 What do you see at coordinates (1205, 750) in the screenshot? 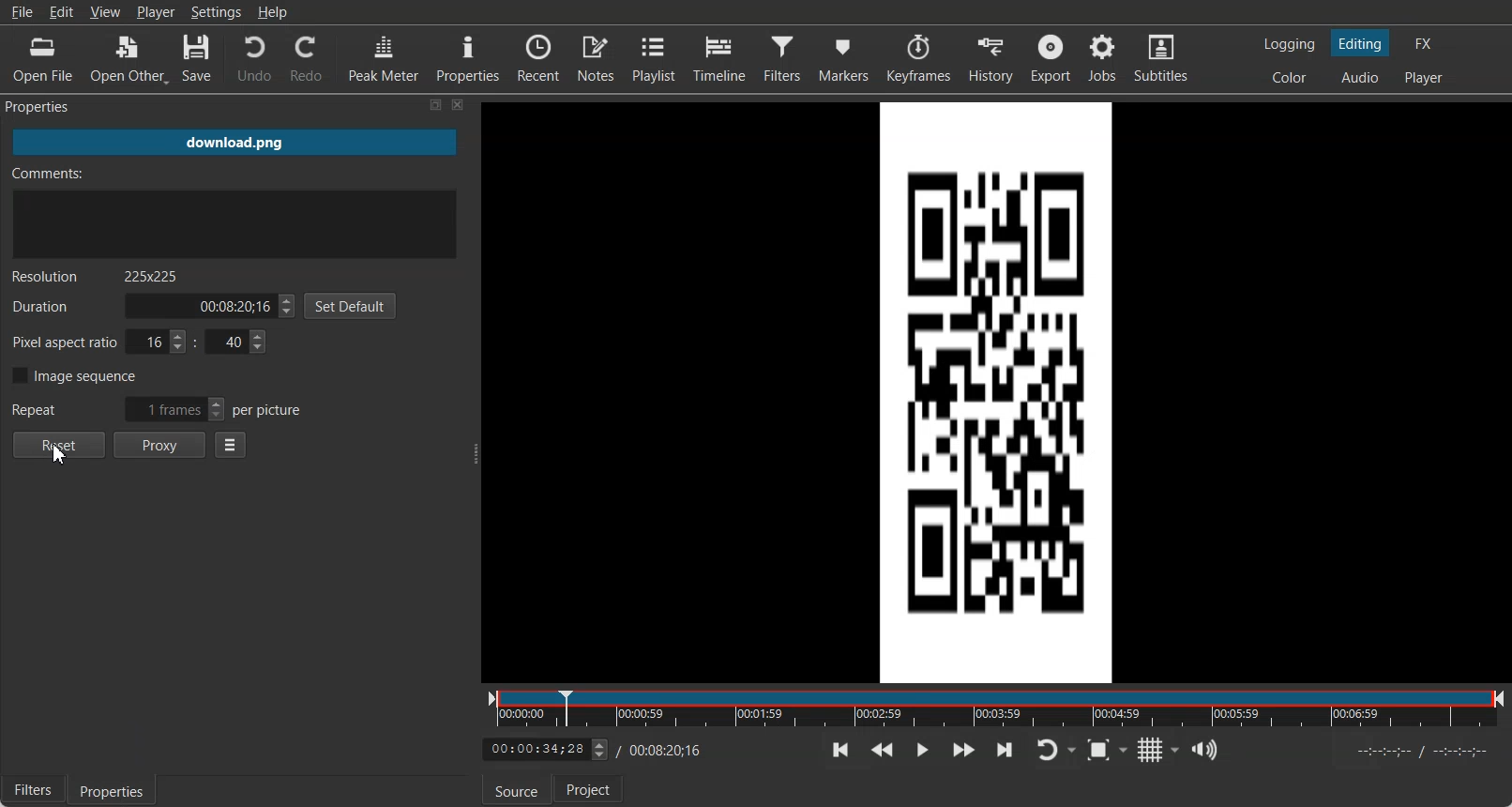
I see `Show the volume control` at bounding box center [1205, 750].